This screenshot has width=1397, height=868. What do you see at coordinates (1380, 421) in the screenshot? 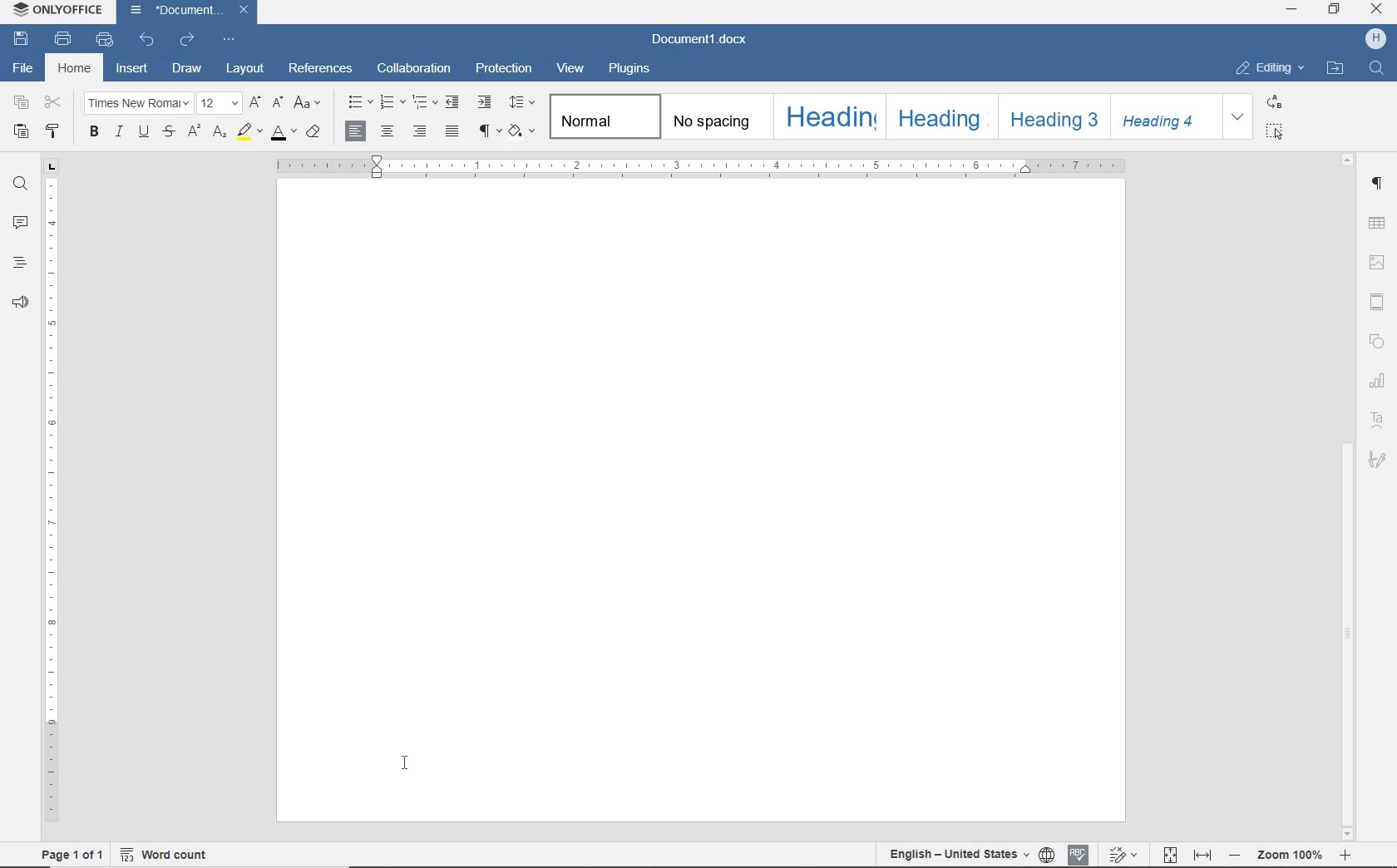
I see `Text Art` at bounding box center [1380, 421].